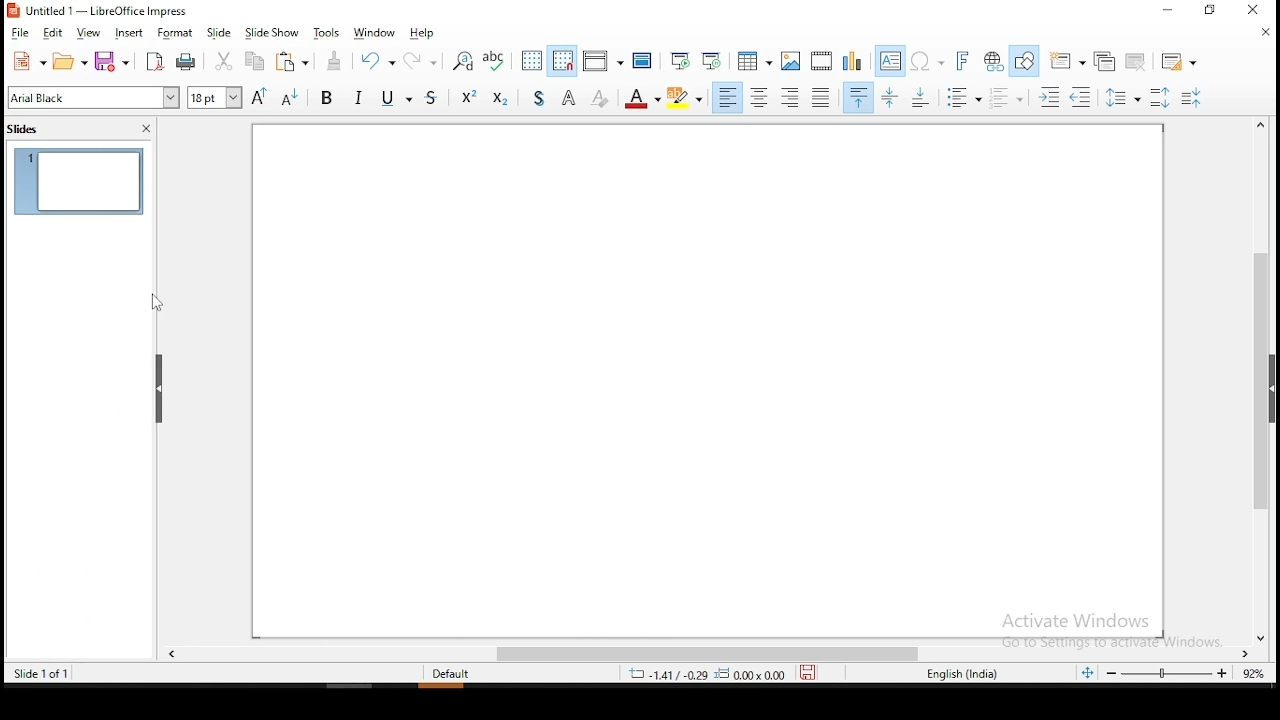 The height and width of the screenshot is (720, 1280). I want to click on print, so click(188, 64).